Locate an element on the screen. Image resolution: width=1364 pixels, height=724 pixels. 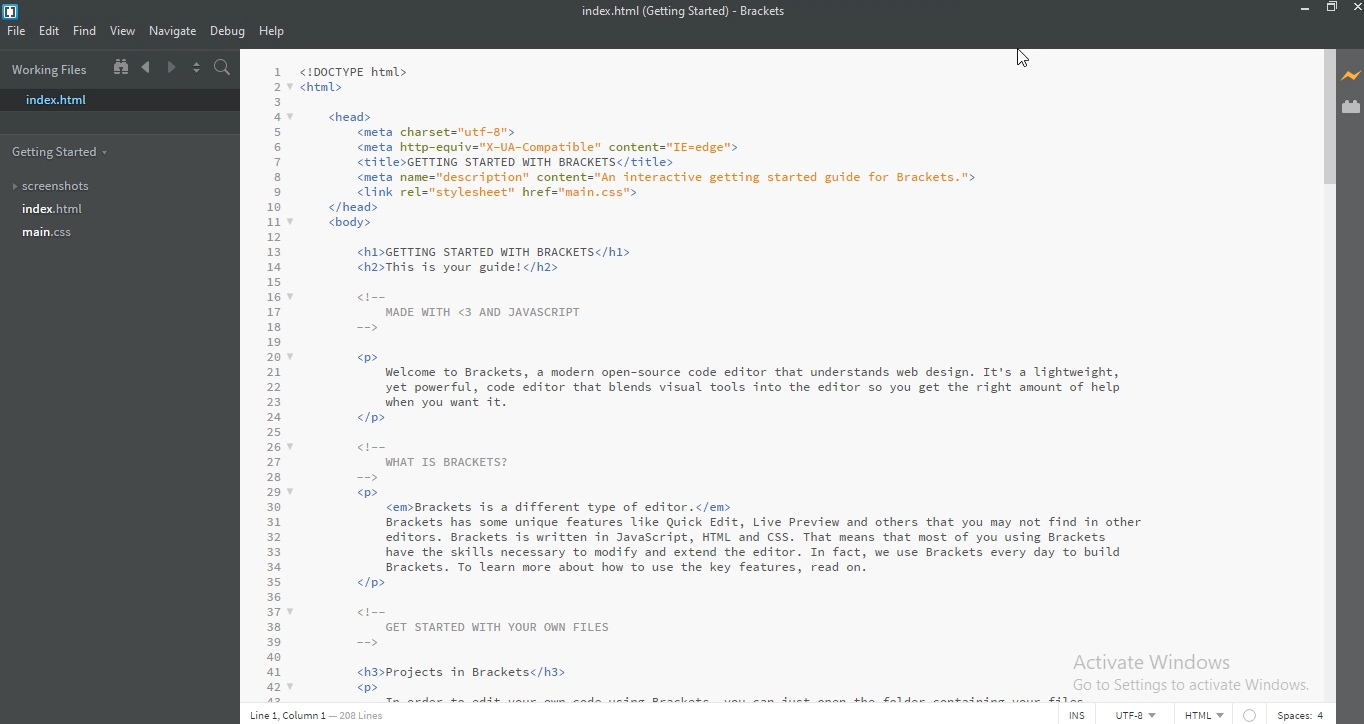
File is located at coordinates (18, 35).